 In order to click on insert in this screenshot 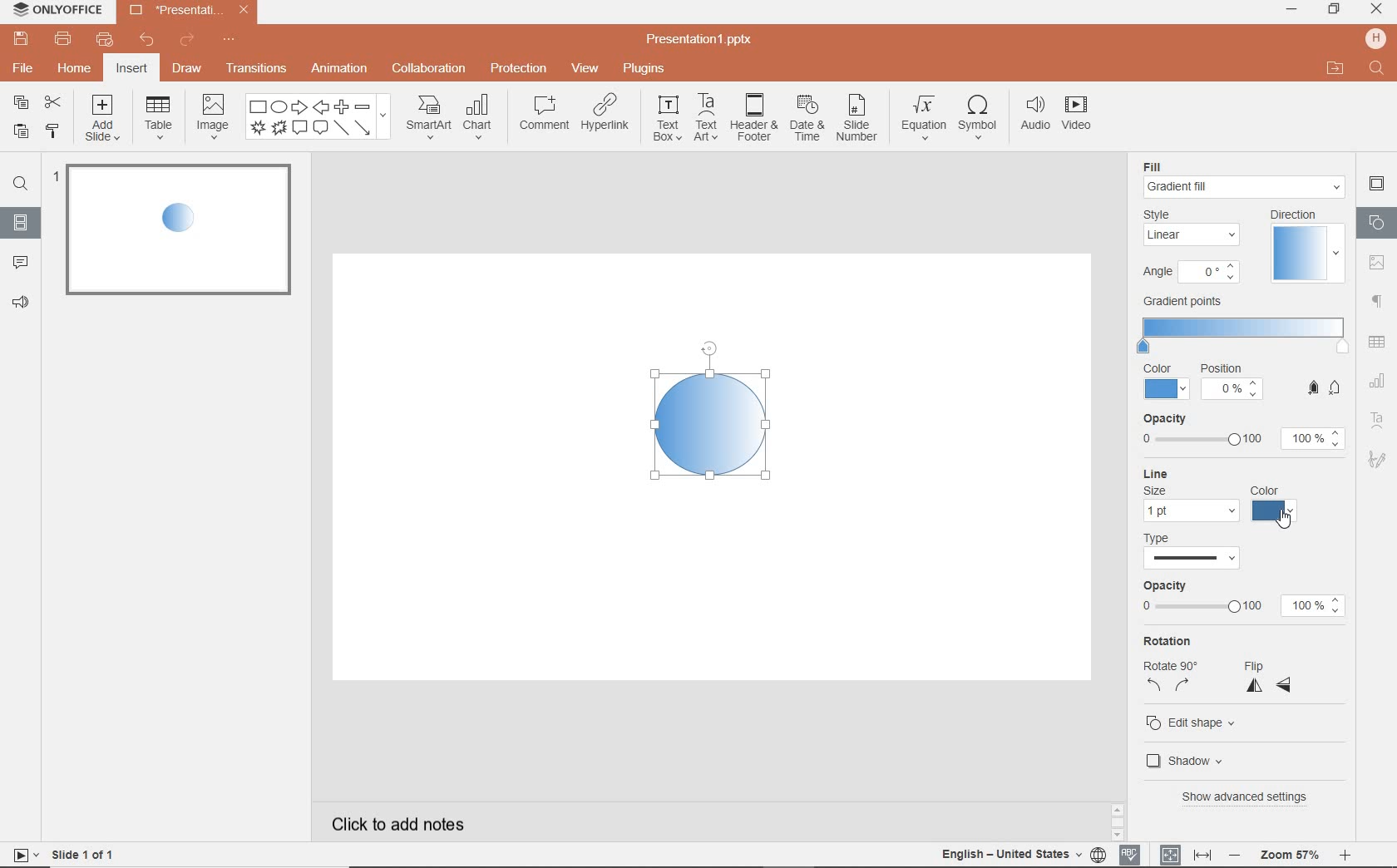, I will do `click(131, 69)`.